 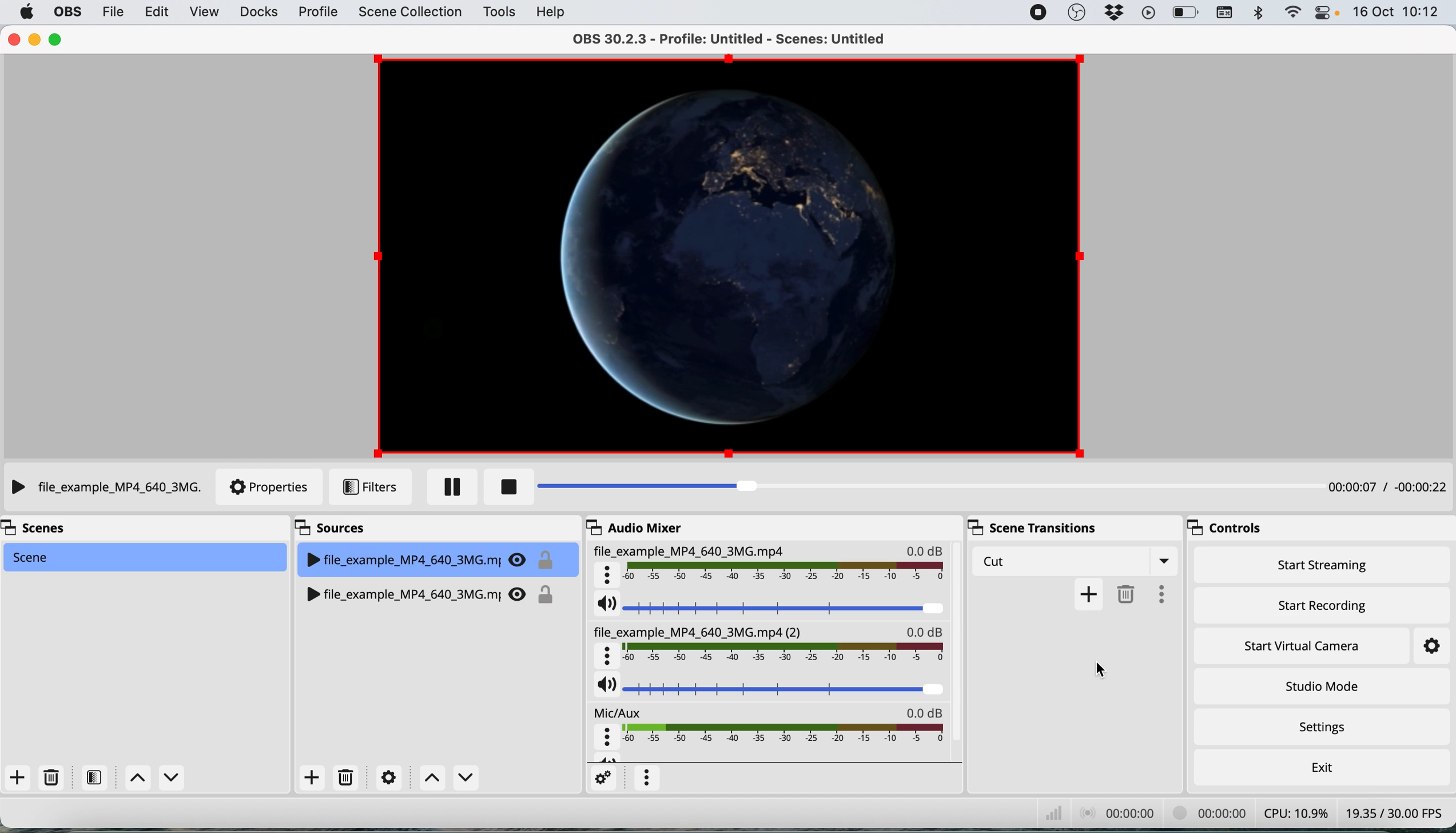 I want to click on WP file_example_MP4_640_3MG.mj, so click(x=431, y=591).